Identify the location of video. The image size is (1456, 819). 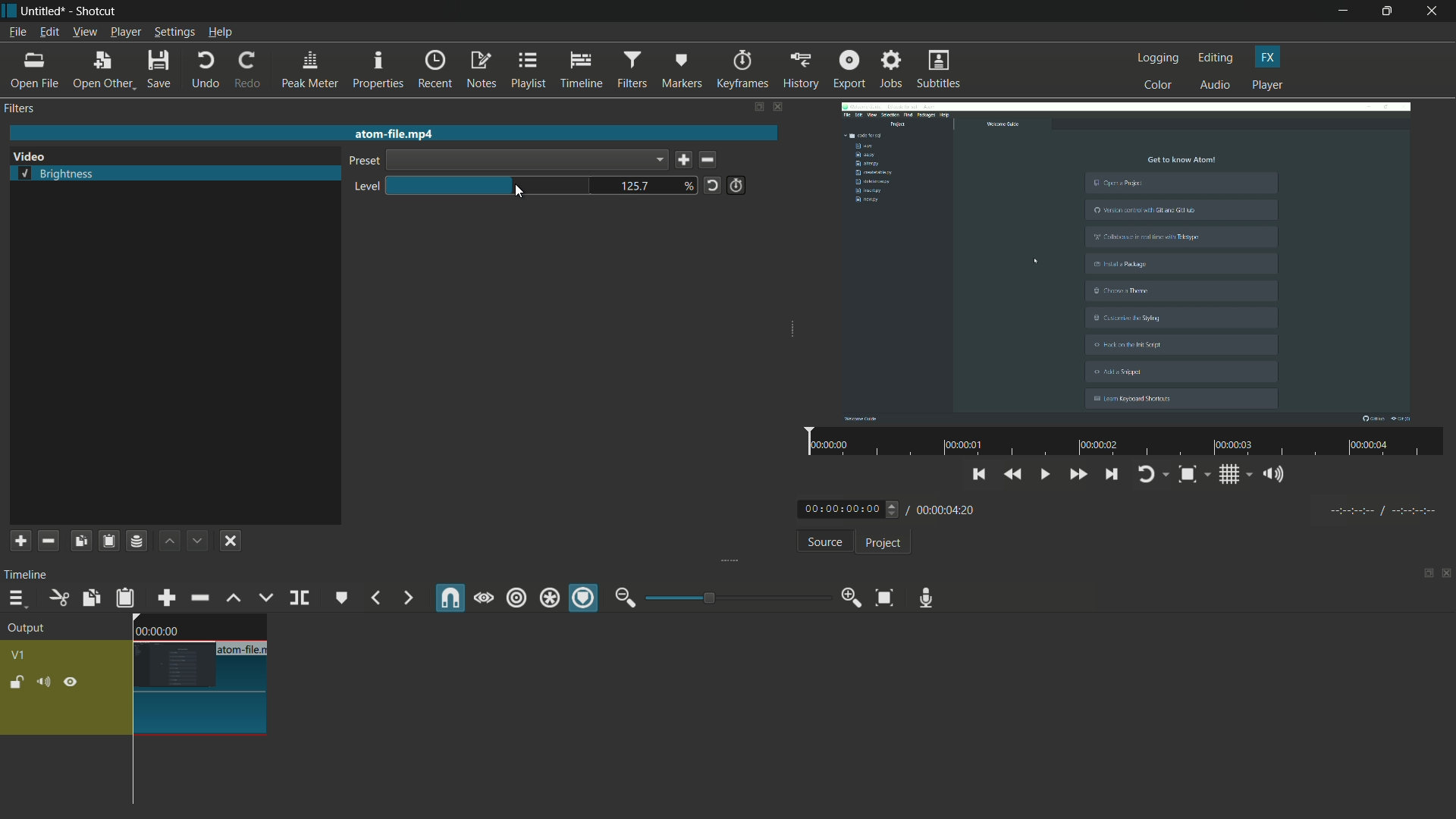
(29, 157).